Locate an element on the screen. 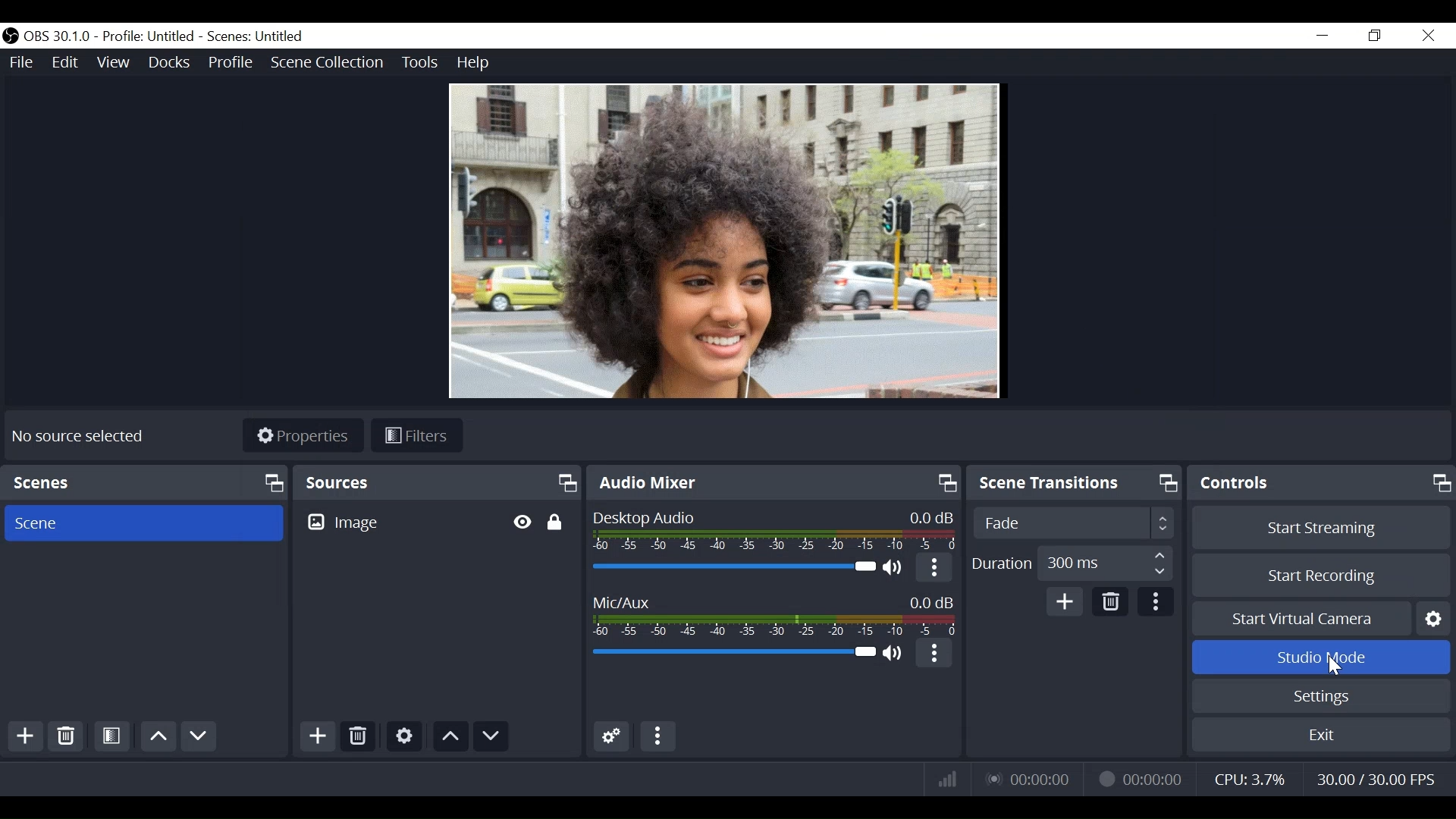  Exit is located at coordinates (1319, 736).